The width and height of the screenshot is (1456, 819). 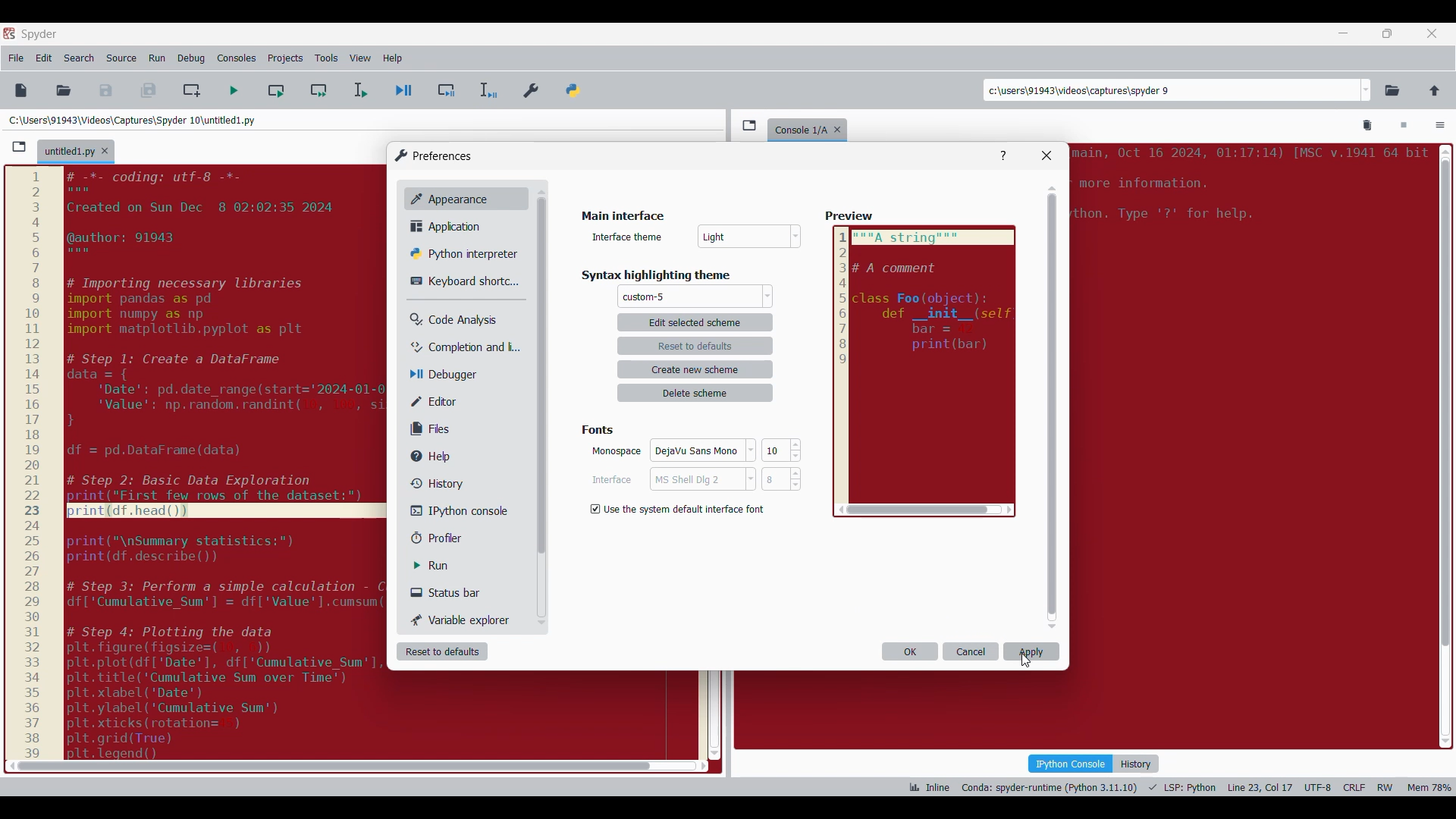 I want to click on IPython console, so click(x=1070, y=763).